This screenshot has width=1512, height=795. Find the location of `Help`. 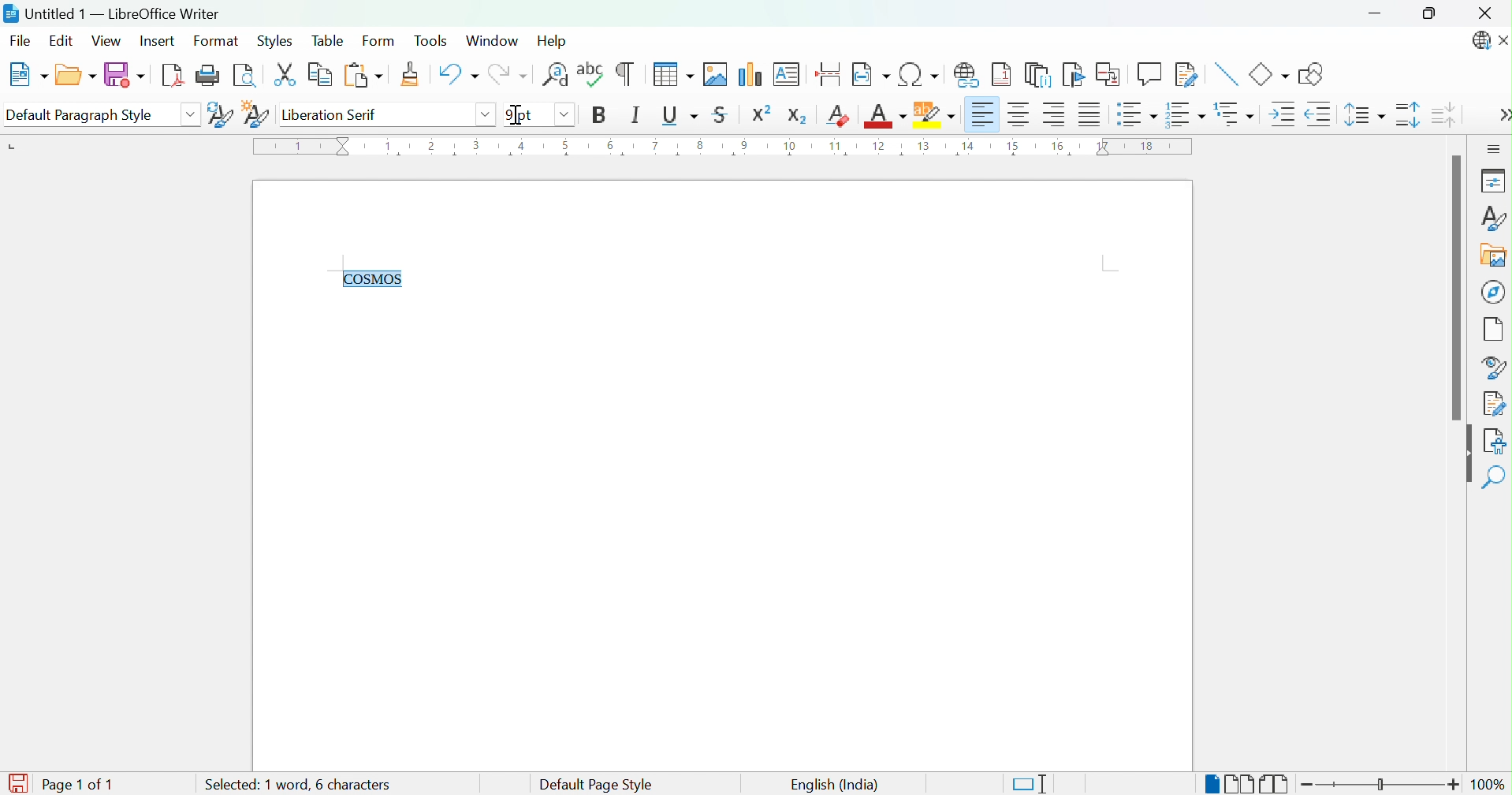

Help is located at coordinates (554, 39).